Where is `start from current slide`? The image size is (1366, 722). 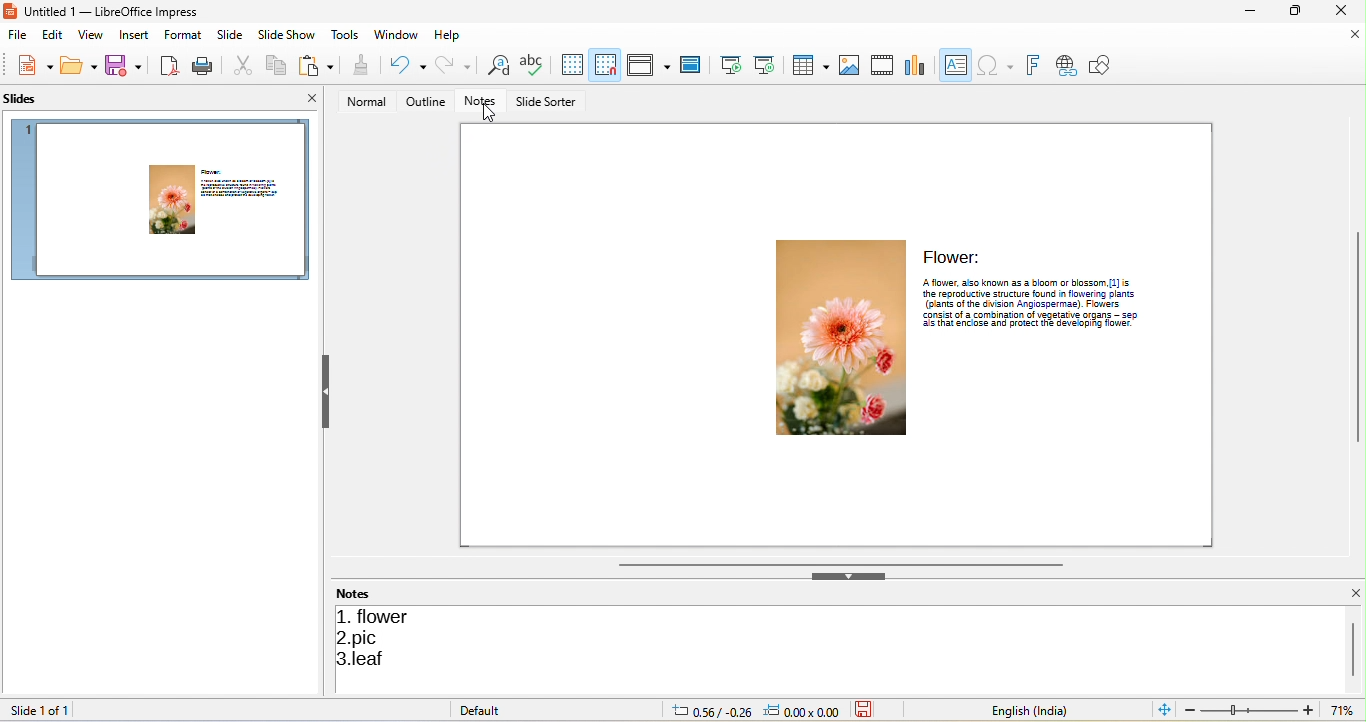
start from current slide is located at coordinates (765, 65).